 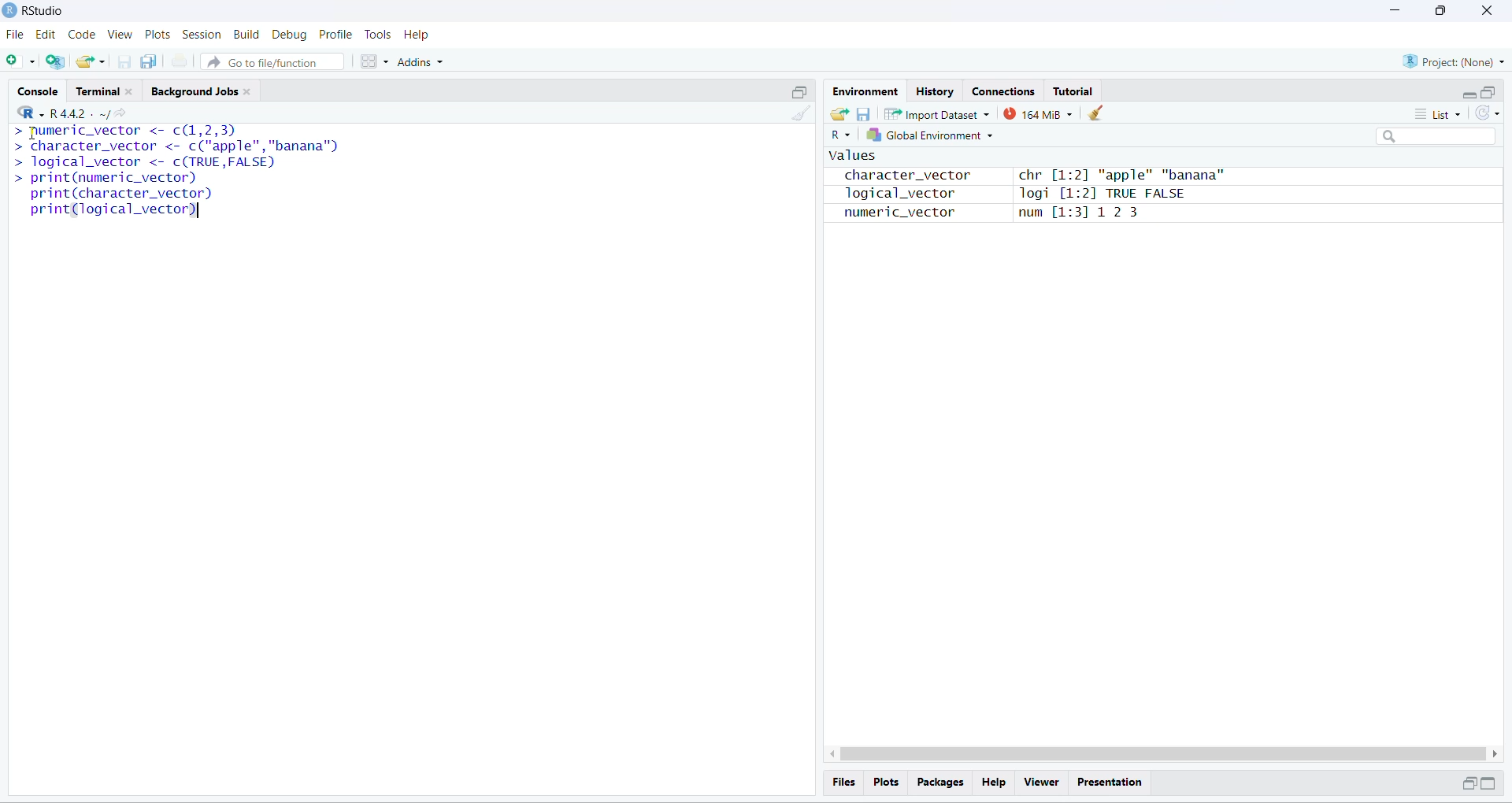 I want to click on Go to file/function, so click(x=271, y=62).